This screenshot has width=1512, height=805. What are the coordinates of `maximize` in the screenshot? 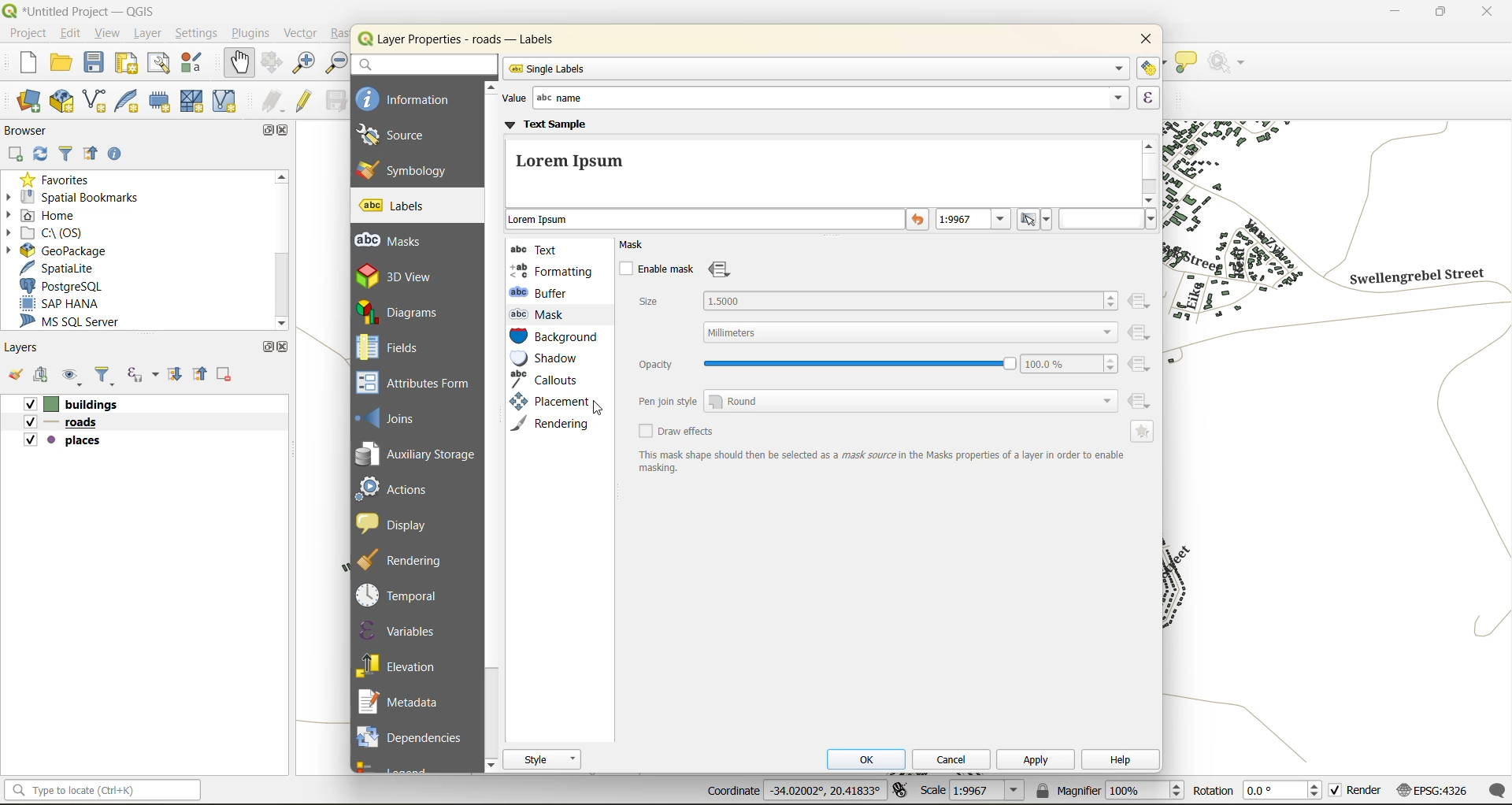 It's located at (269, 132).